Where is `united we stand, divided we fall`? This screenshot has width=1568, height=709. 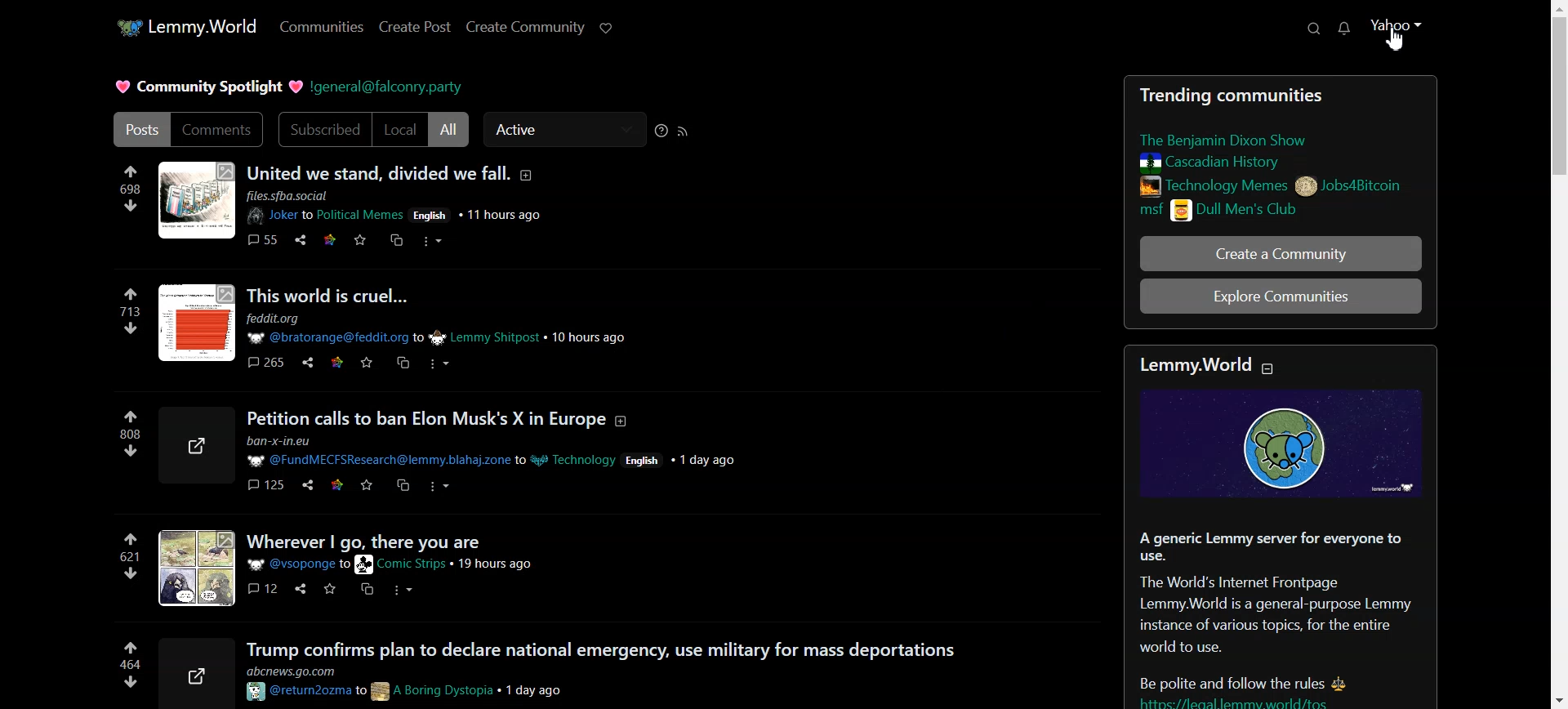 united we stand, divided we fall is located at coordinates (374, 172).